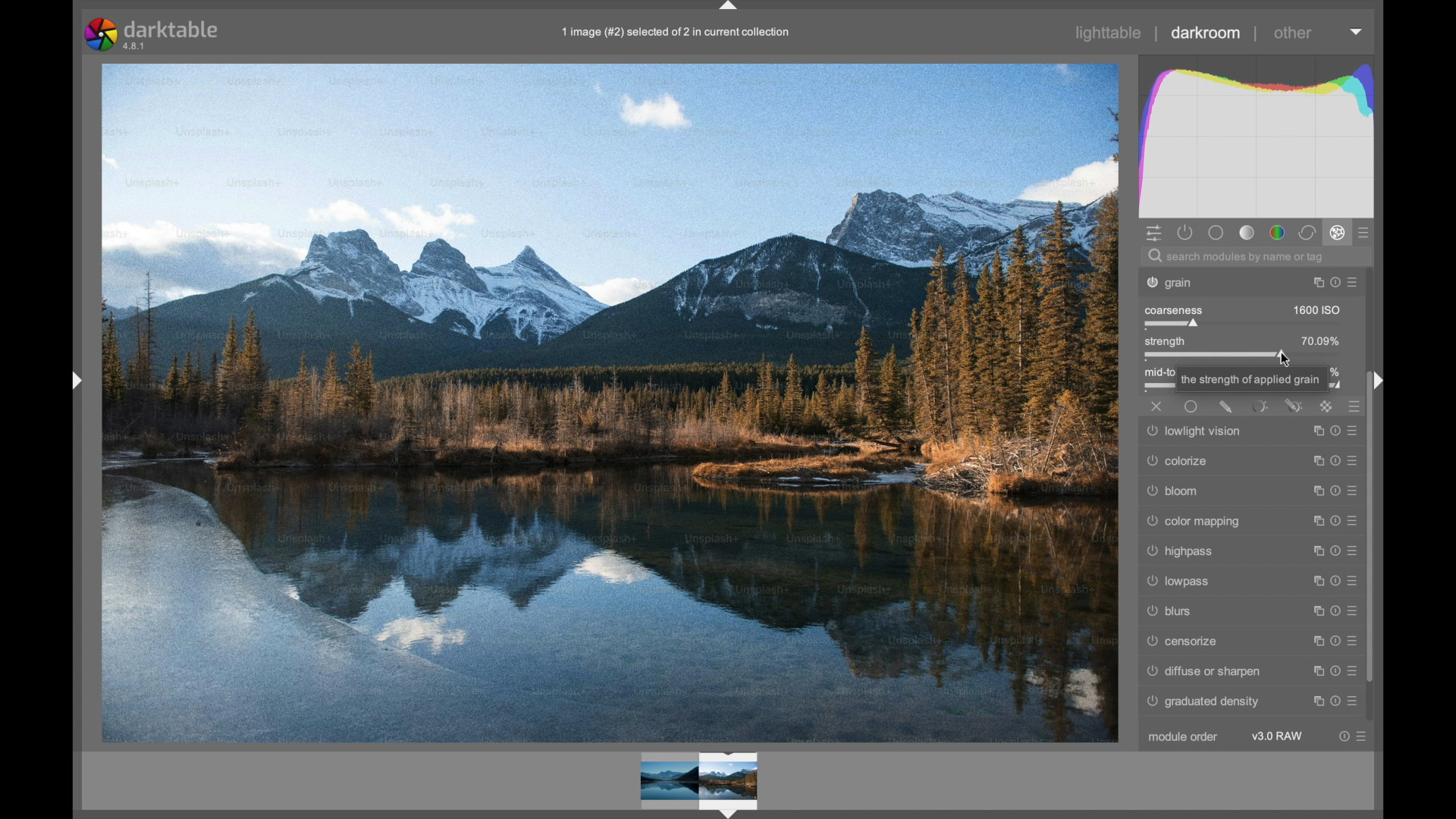 This screenshot has width=1456, height=819. I want to click on v3.0 RAW, so click(1277, 736).